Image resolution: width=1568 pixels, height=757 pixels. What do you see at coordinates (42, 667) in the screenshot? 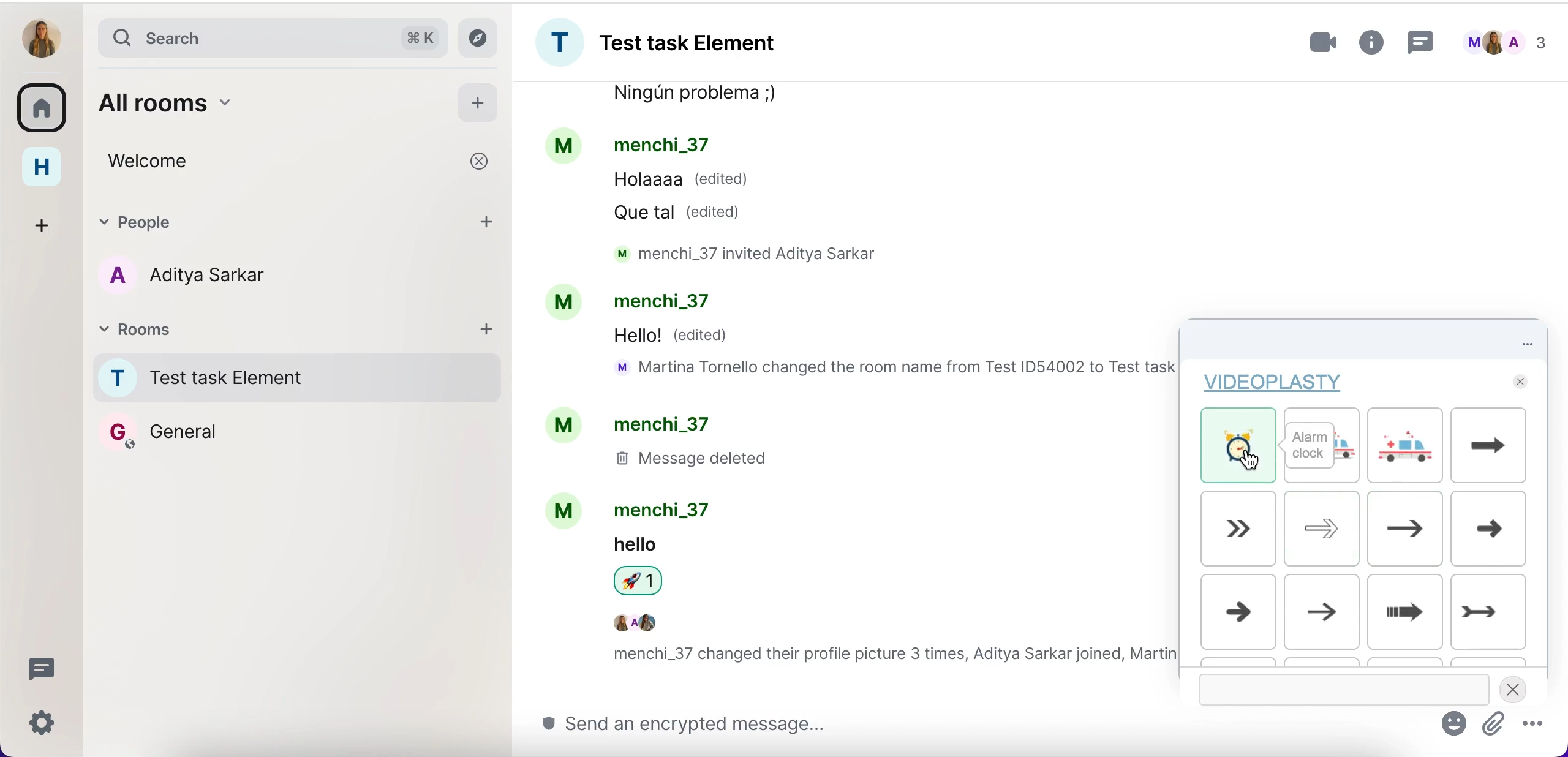
I see `threads` at bounding box center [42, 667].